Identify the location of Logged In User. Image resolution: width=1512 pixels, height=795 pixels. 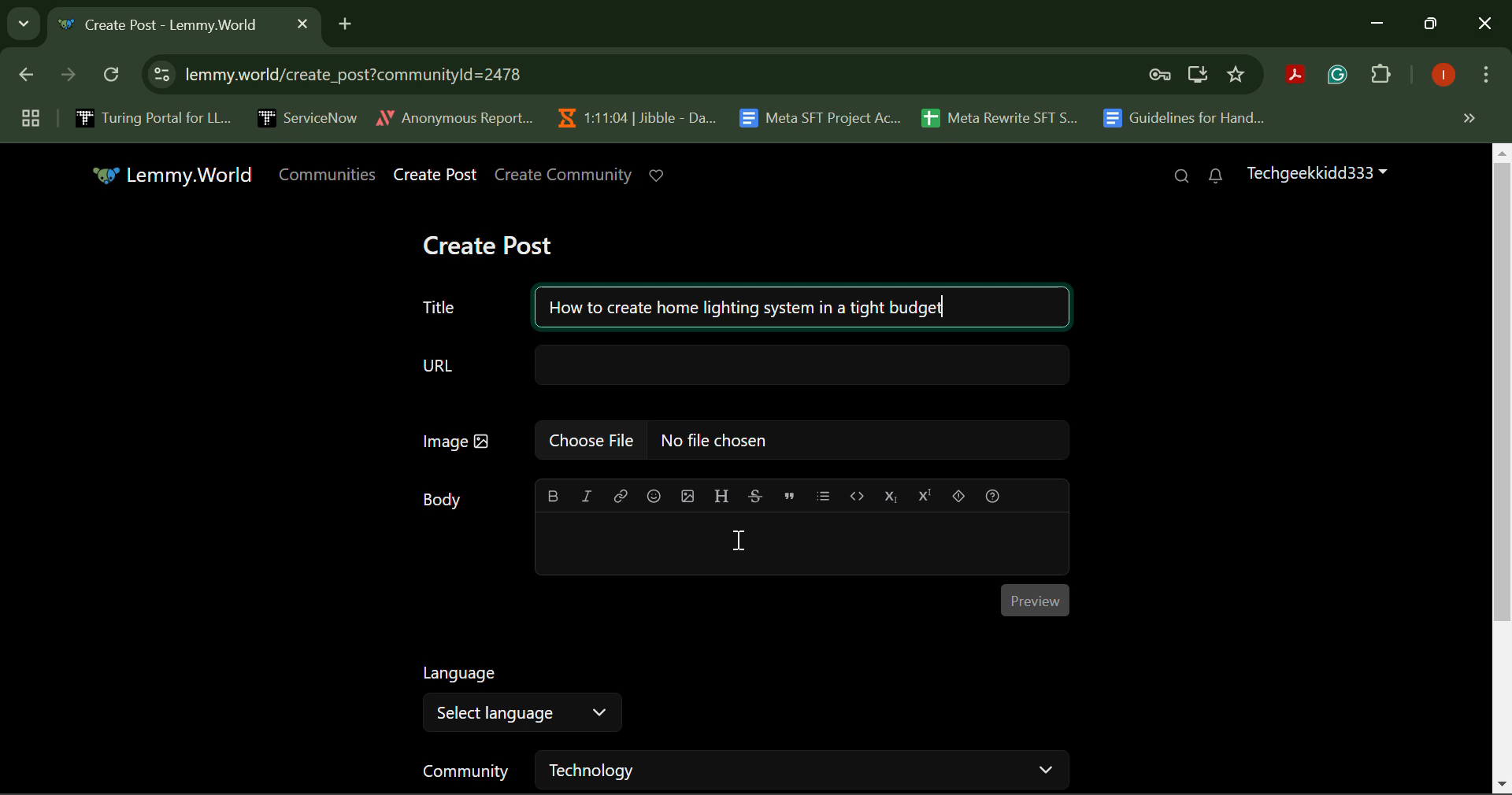
(1440, 76).